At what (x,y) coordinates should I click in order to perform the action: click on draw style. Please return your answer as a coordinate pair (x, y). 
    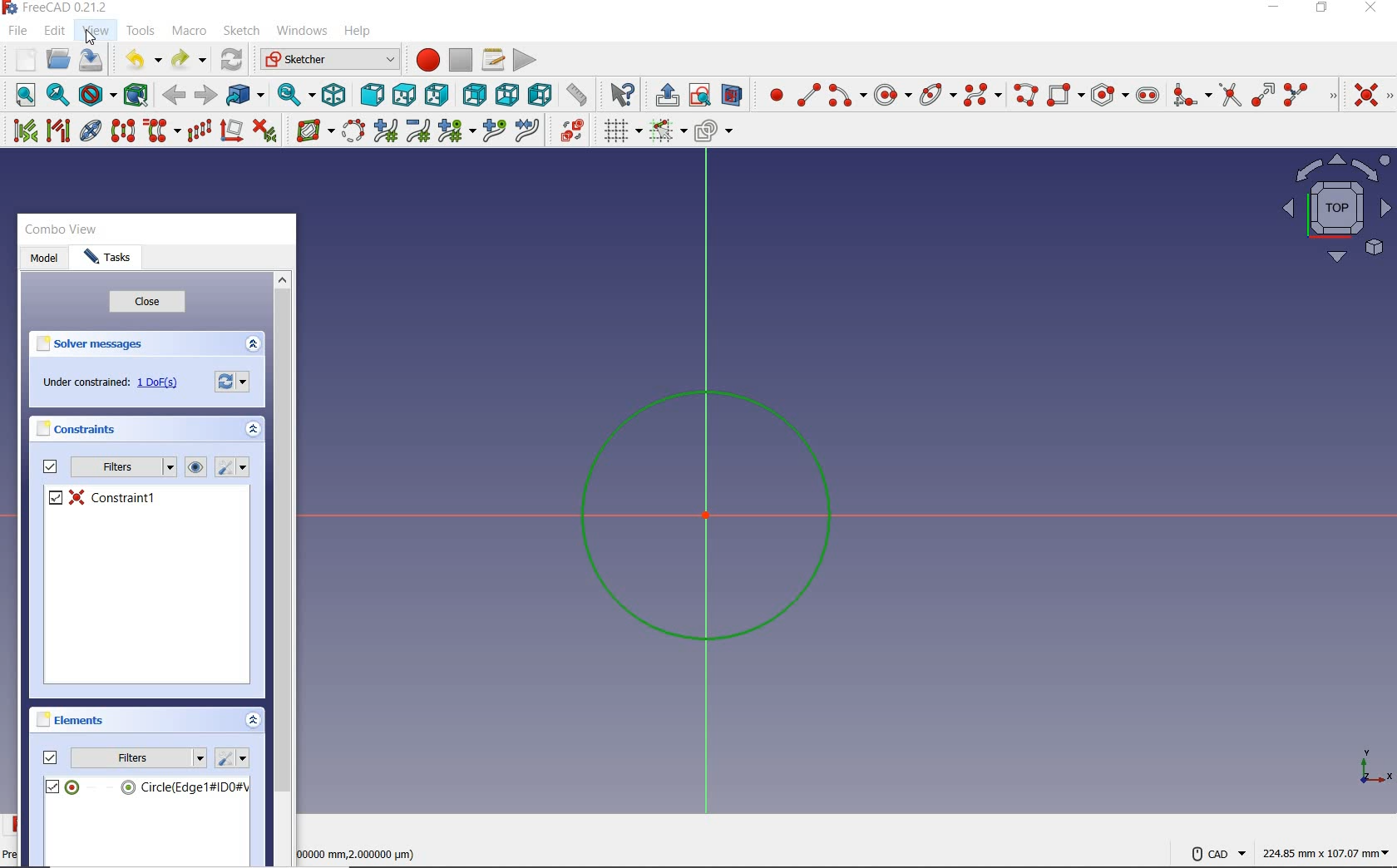
    Looking at the image, I should click on (96, 96).